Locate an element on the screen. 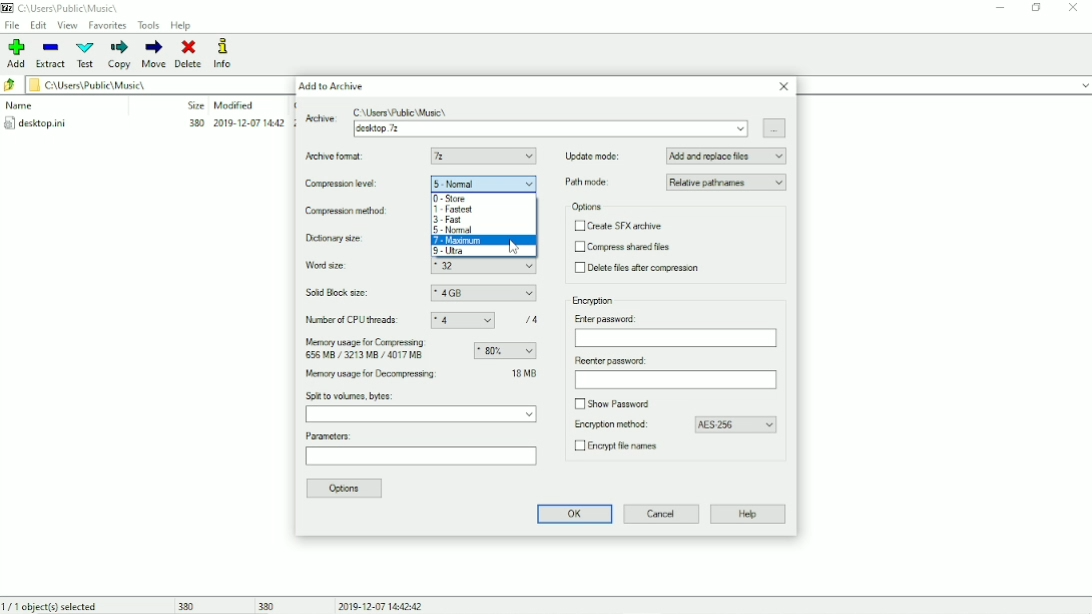  View is located at coordinates (67, 26).